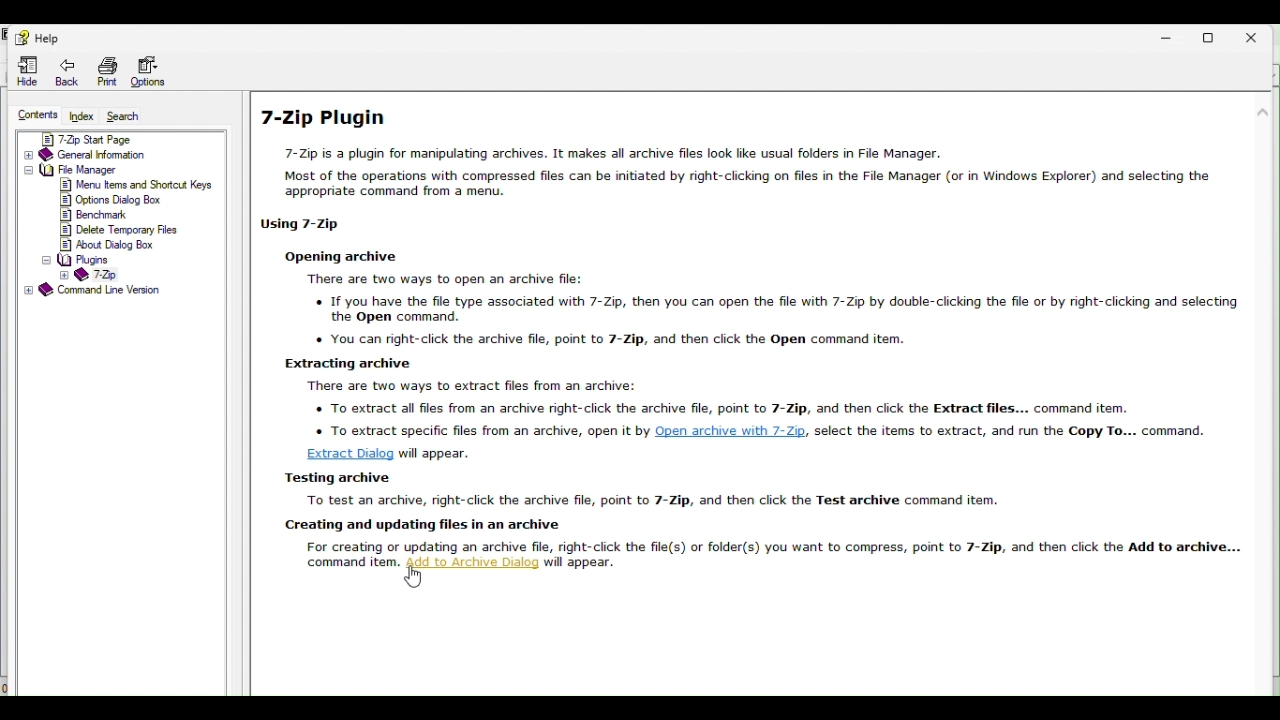  What do you see at coordinates (430, 525) in the screenshot?
I see `| Creating and updating files in an archive` at bounding box center [430, 525].